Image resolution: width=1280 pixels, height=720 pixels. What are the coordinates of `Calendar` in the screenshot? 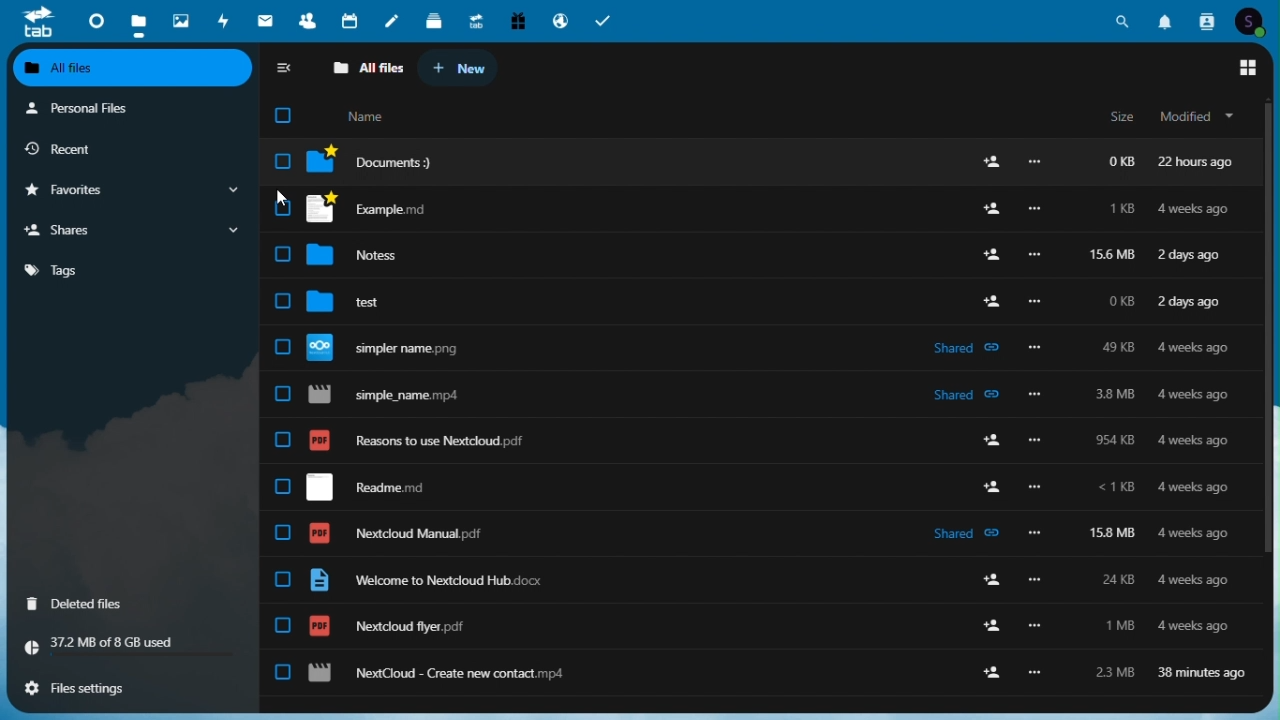 It's located at (351, 20).